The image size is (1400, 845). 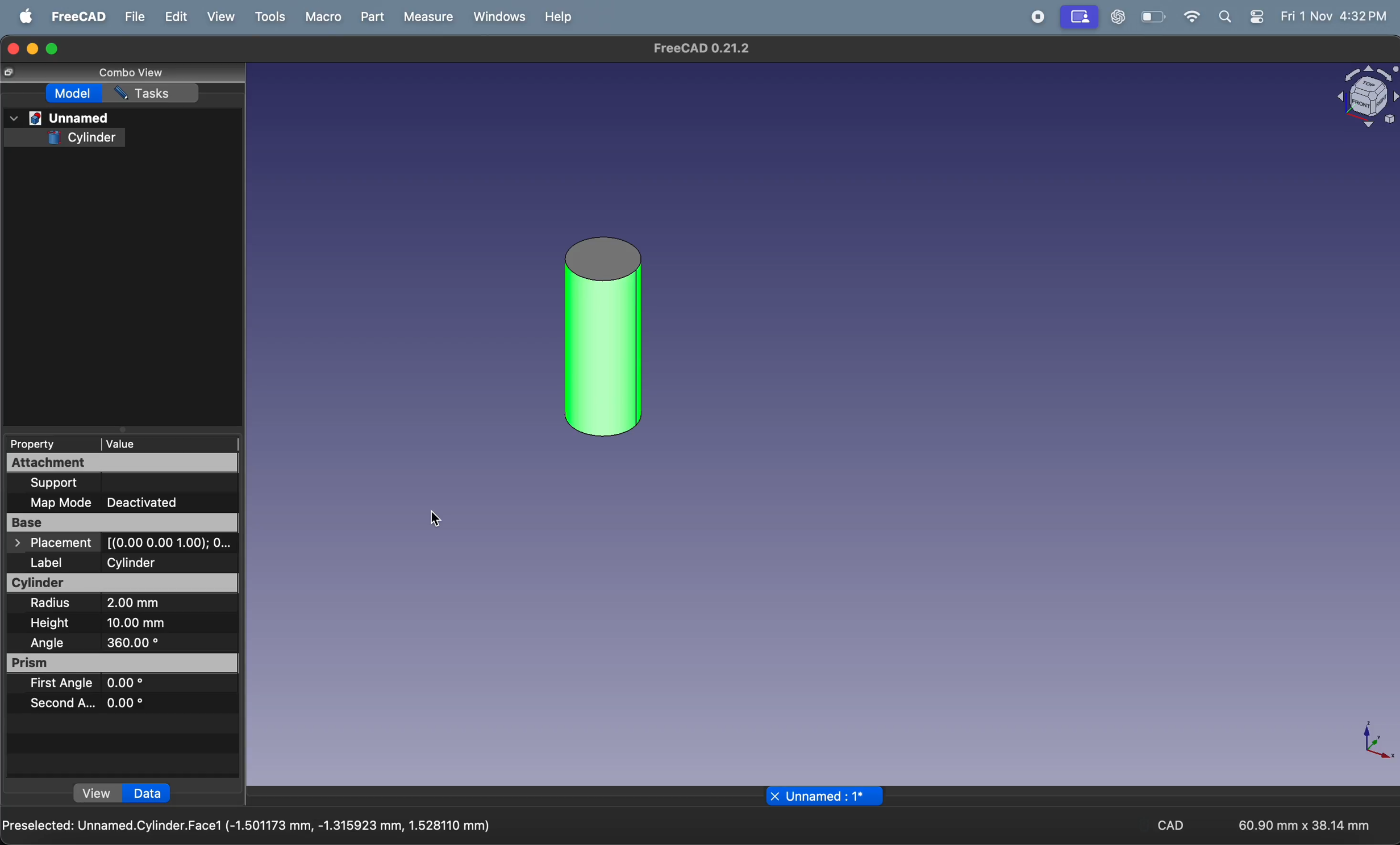 I want to click on data, so click(x=148, y=794).